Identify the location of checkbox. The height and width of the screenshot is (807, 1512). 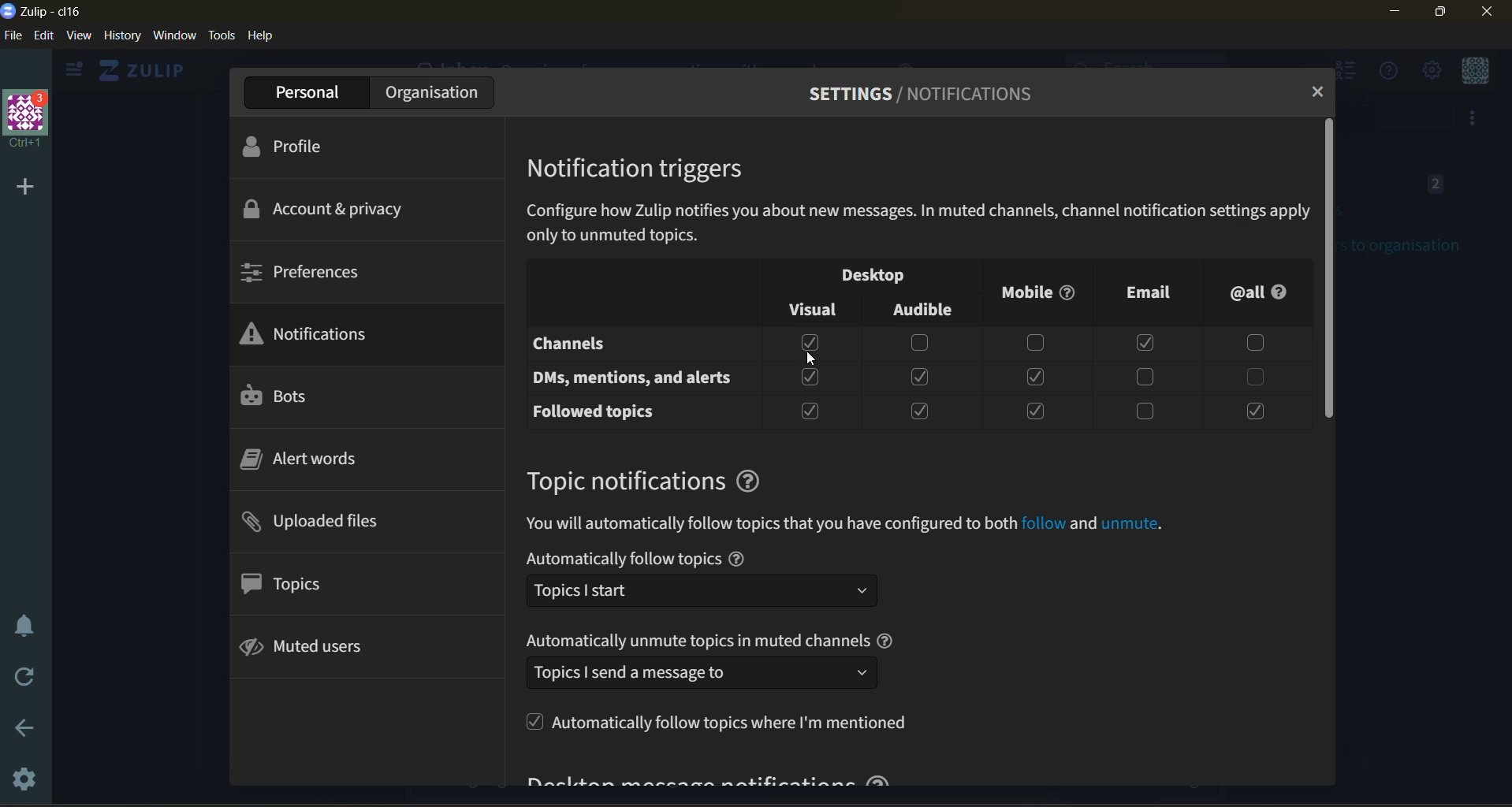
(1249, 342).